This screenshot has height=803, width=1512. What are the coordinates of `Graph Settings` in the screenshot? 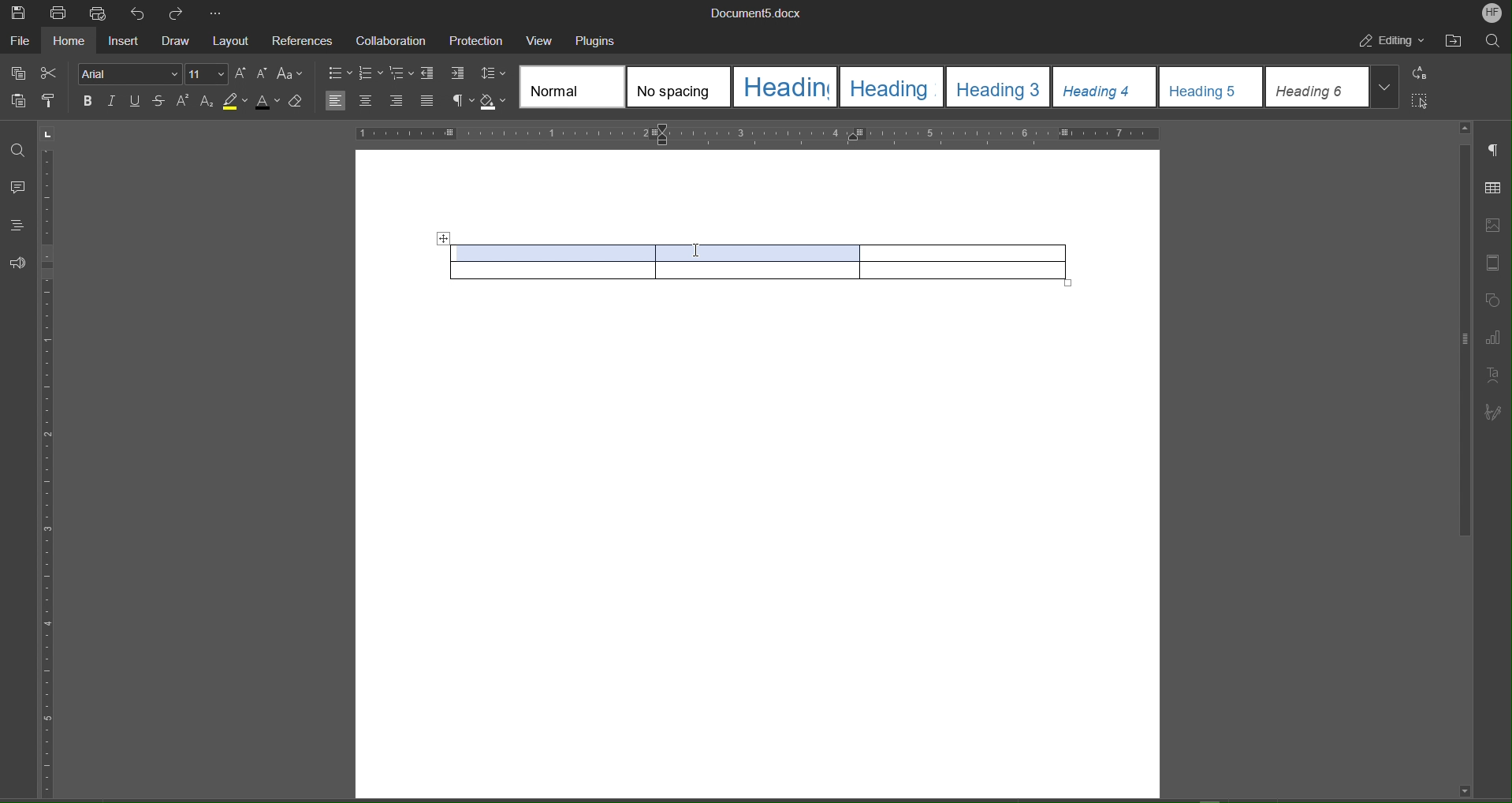 It's located at (1496, 335).